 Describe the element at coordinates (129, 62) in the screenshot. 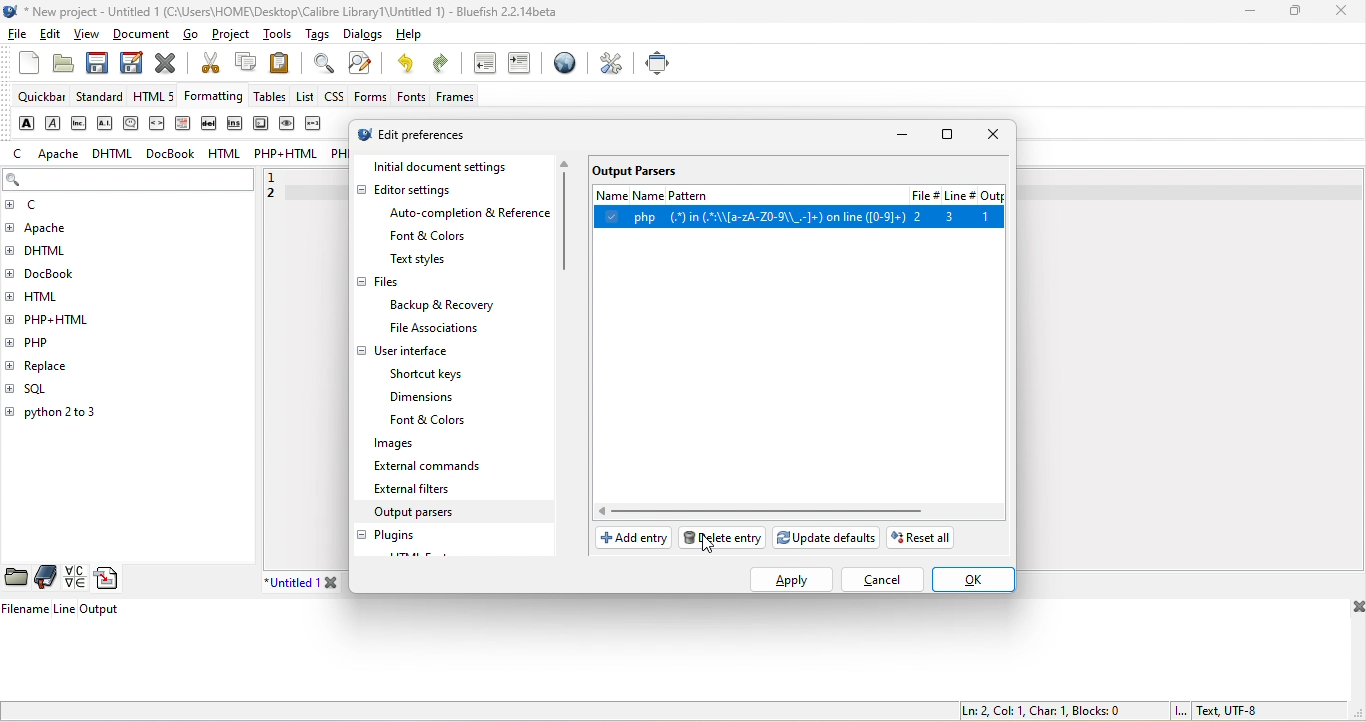

I see `save as` at that location.